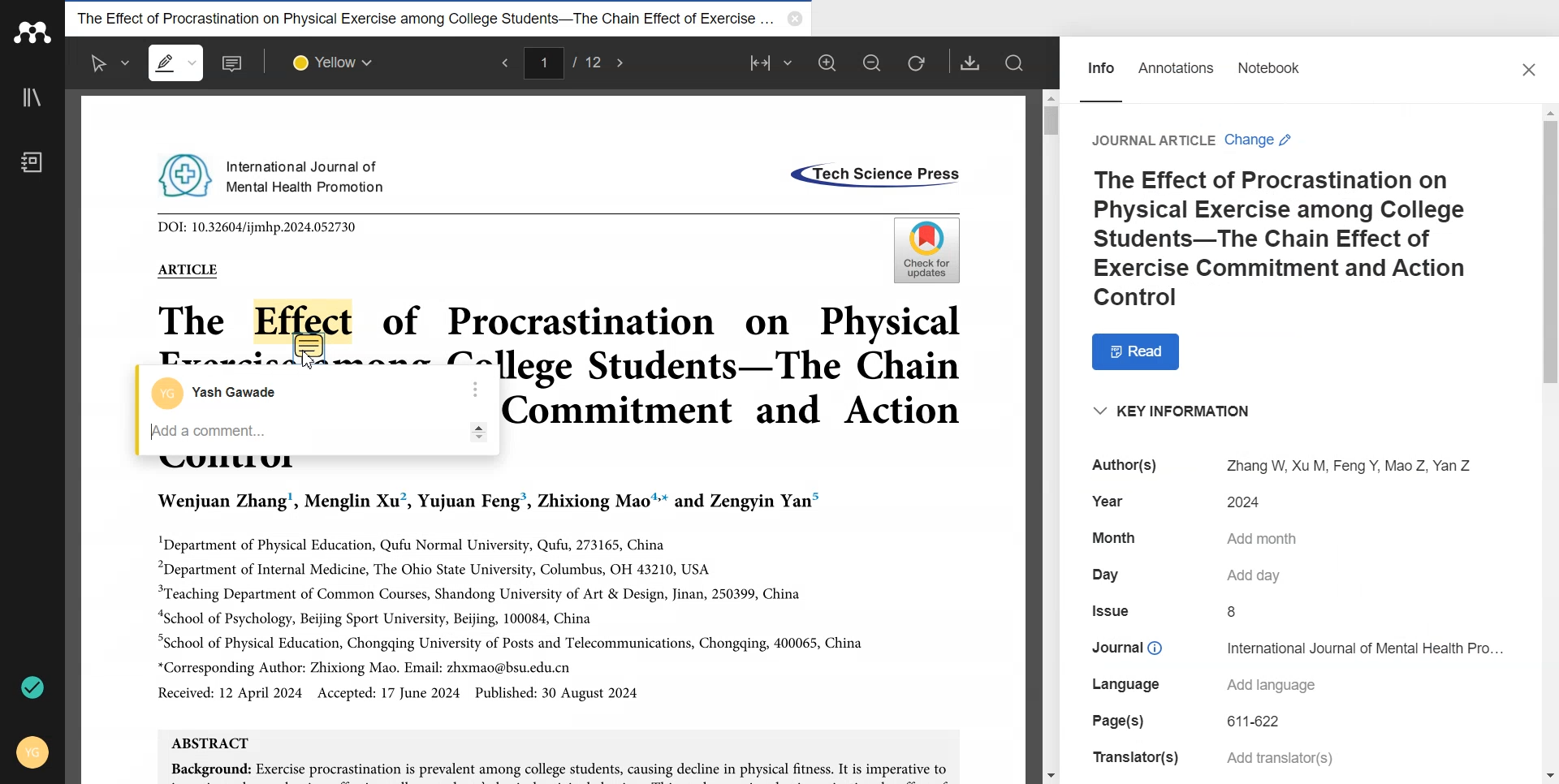 This screenshot has height=784, width=1559. I want to click on Highlight text, so click(177, 62).